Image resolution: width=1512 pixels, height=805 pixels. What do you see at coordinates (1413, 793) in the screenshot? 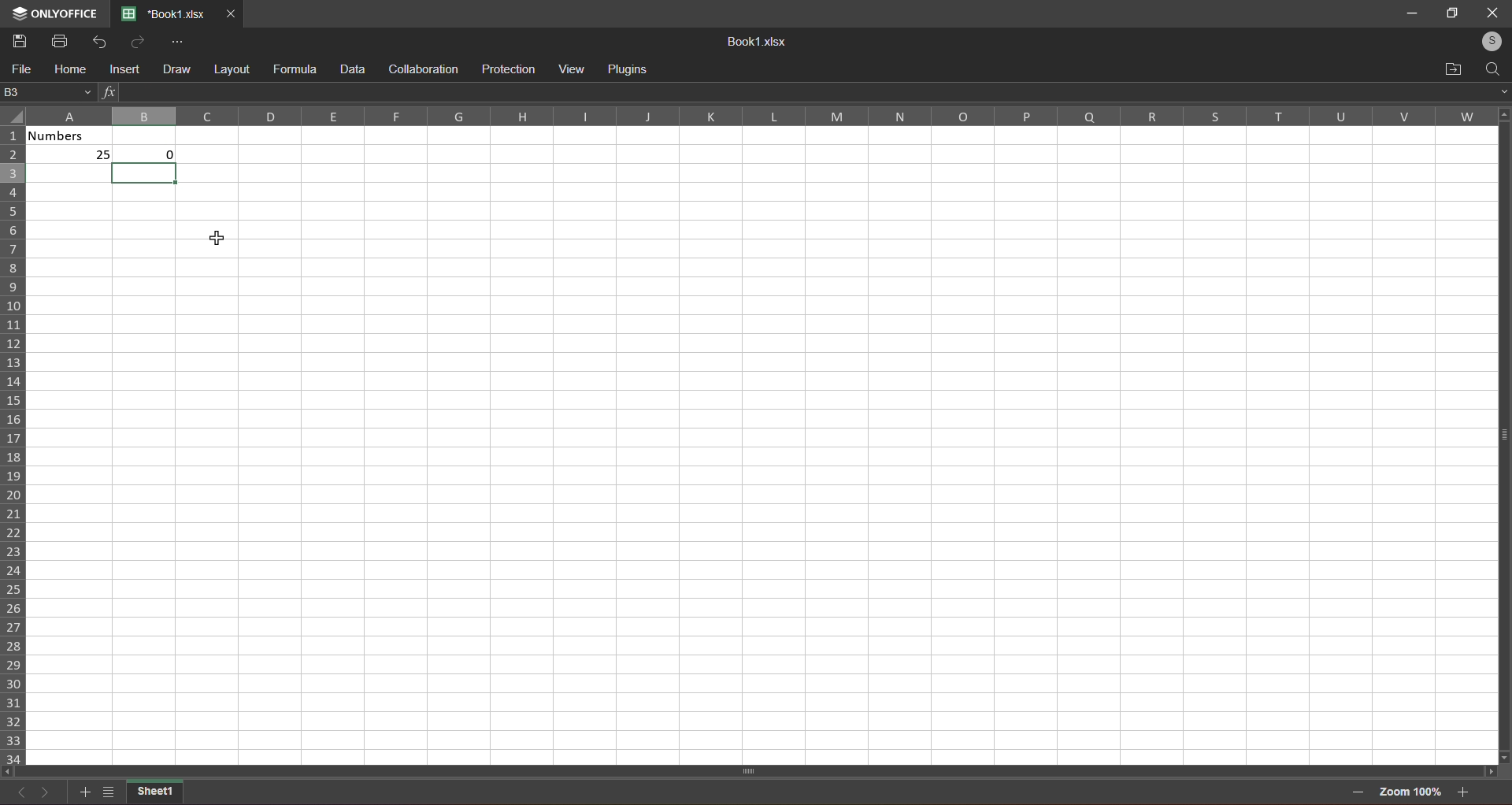
I see `zoom 100%` at bounding box center [1413, 793].